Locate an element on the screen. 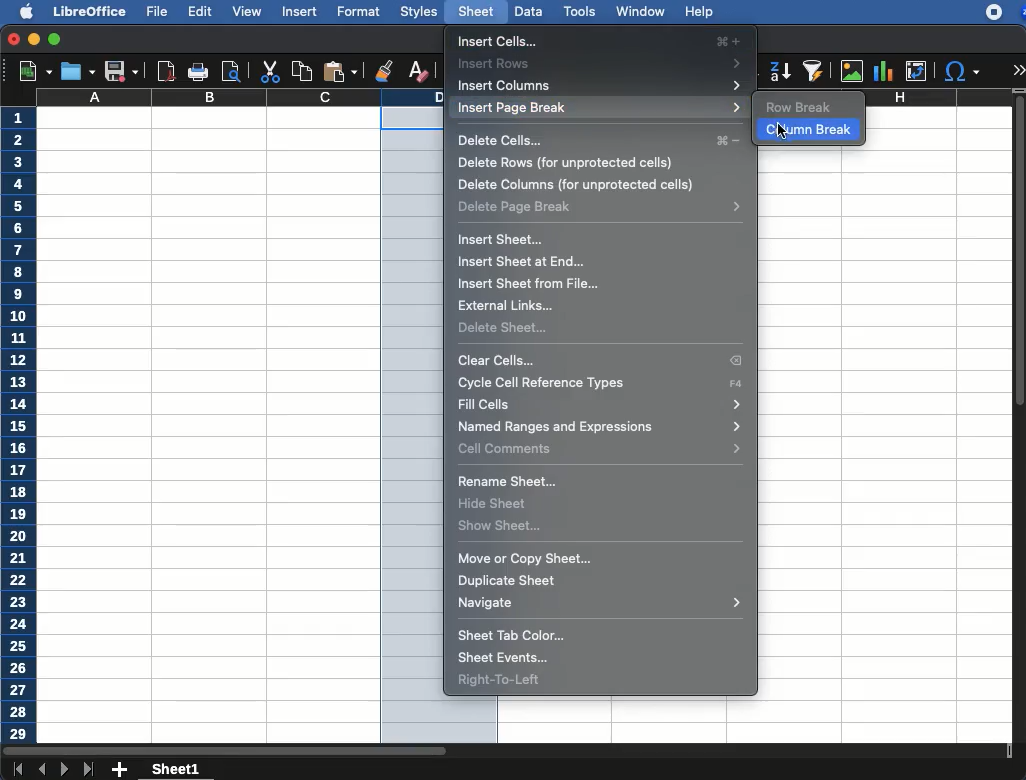 This screenshot has width=1026, height=780. chart is located at coordinates (882, 70).